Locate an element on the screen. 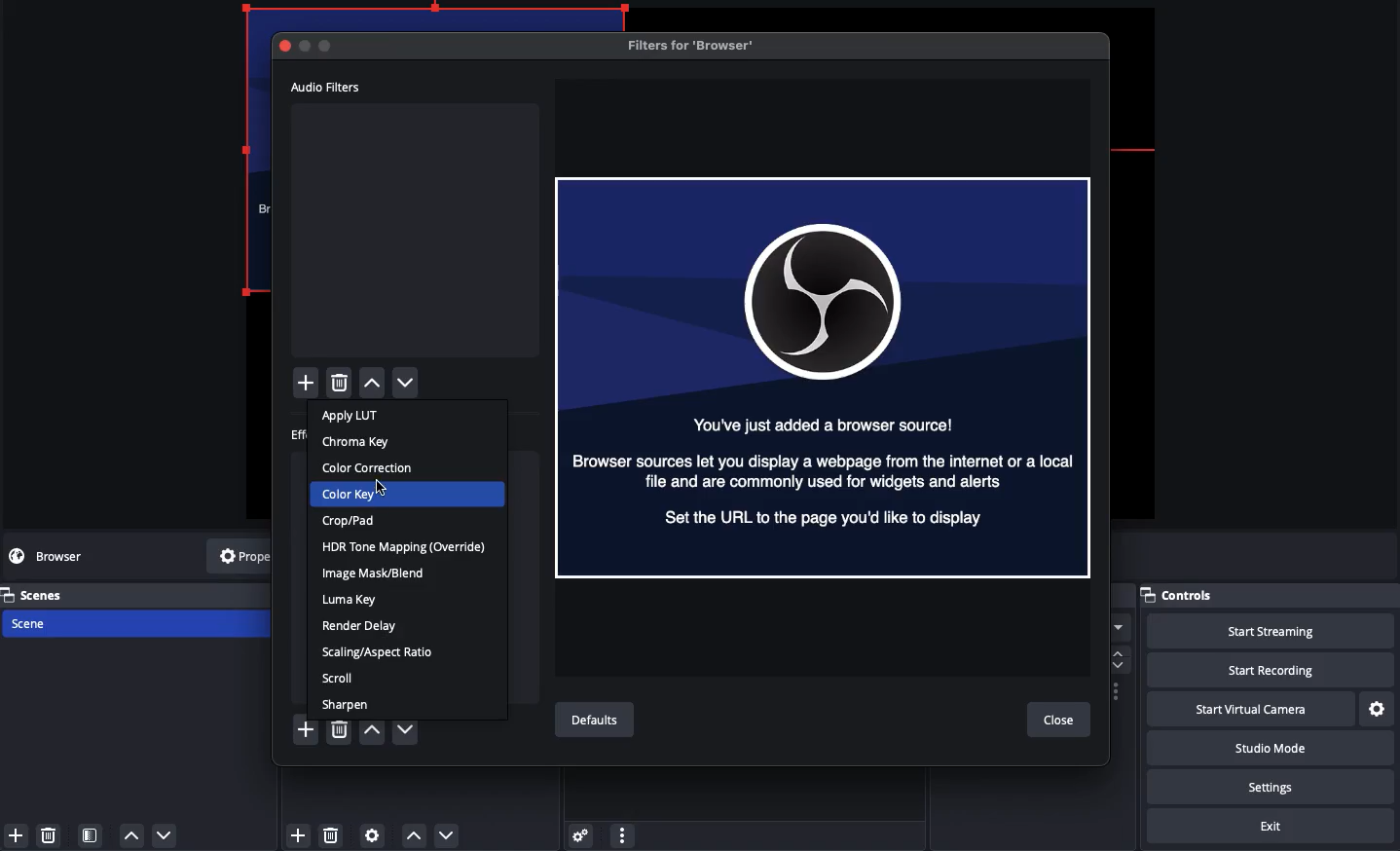  Move up is located at coordinates (413, 837).